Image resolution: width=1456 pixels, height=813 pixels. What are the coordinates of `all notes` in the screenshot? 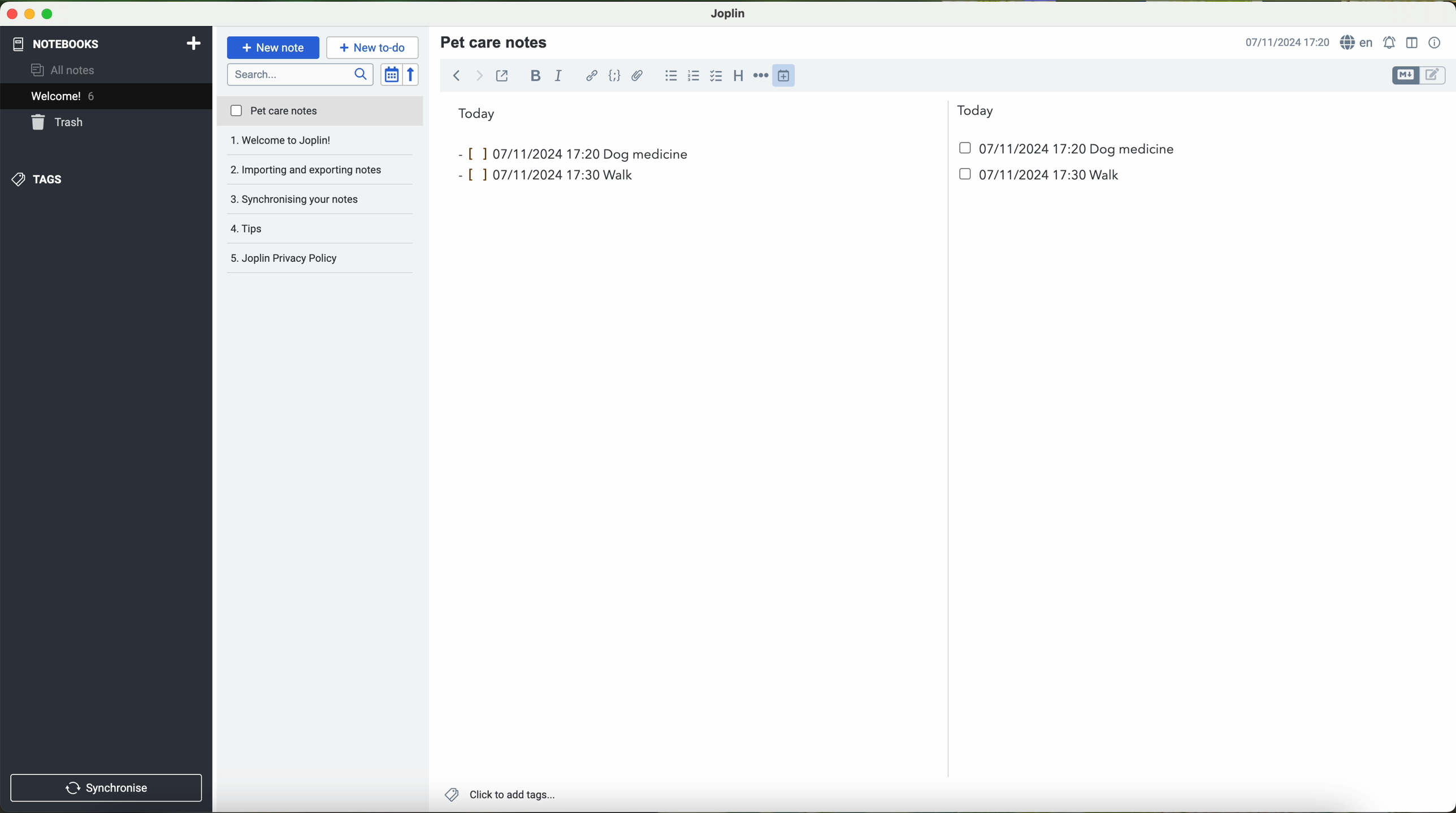 It's located at (66, 71).